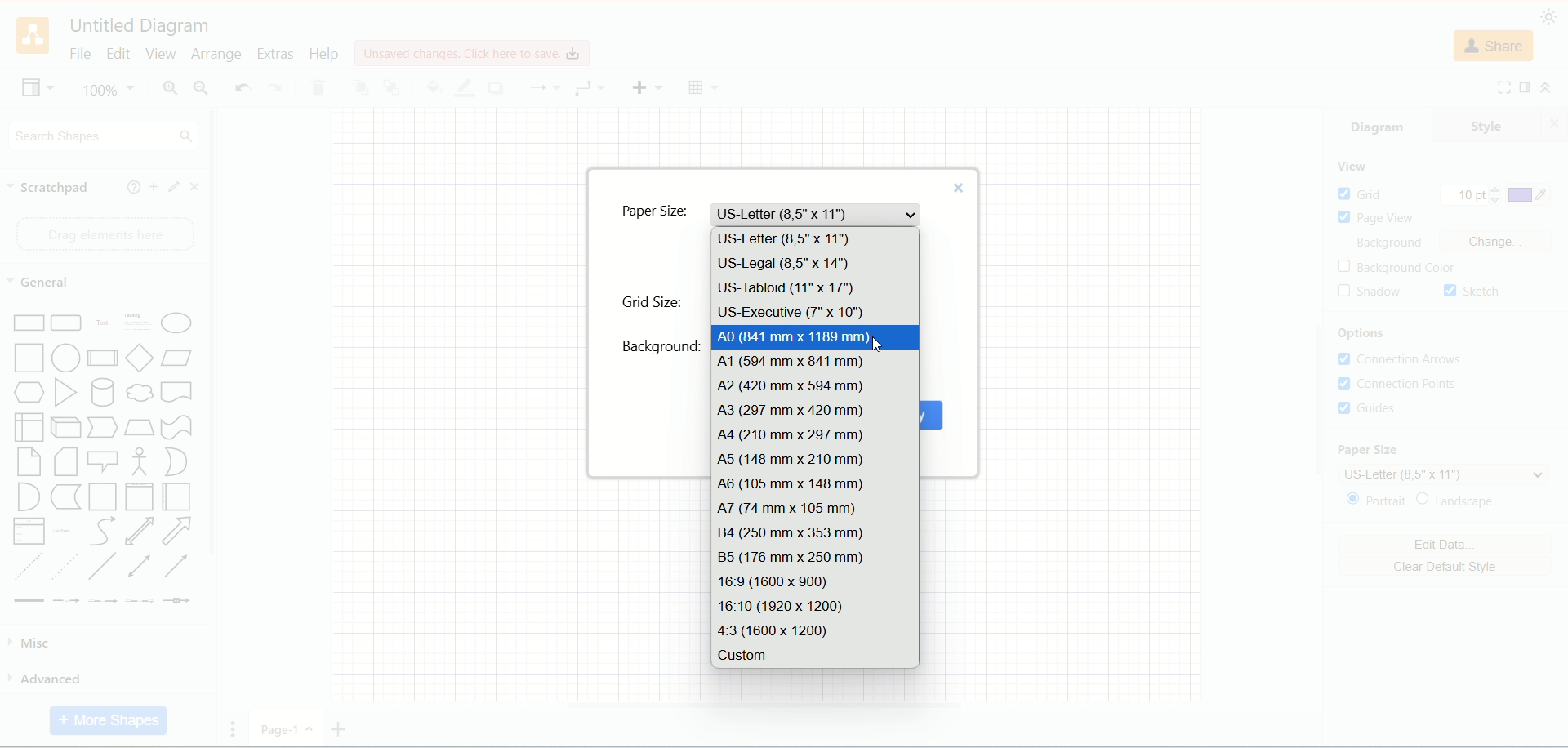  Describe the element at coordinates (171, 187) in the screenshot. I see `edit` at that location.